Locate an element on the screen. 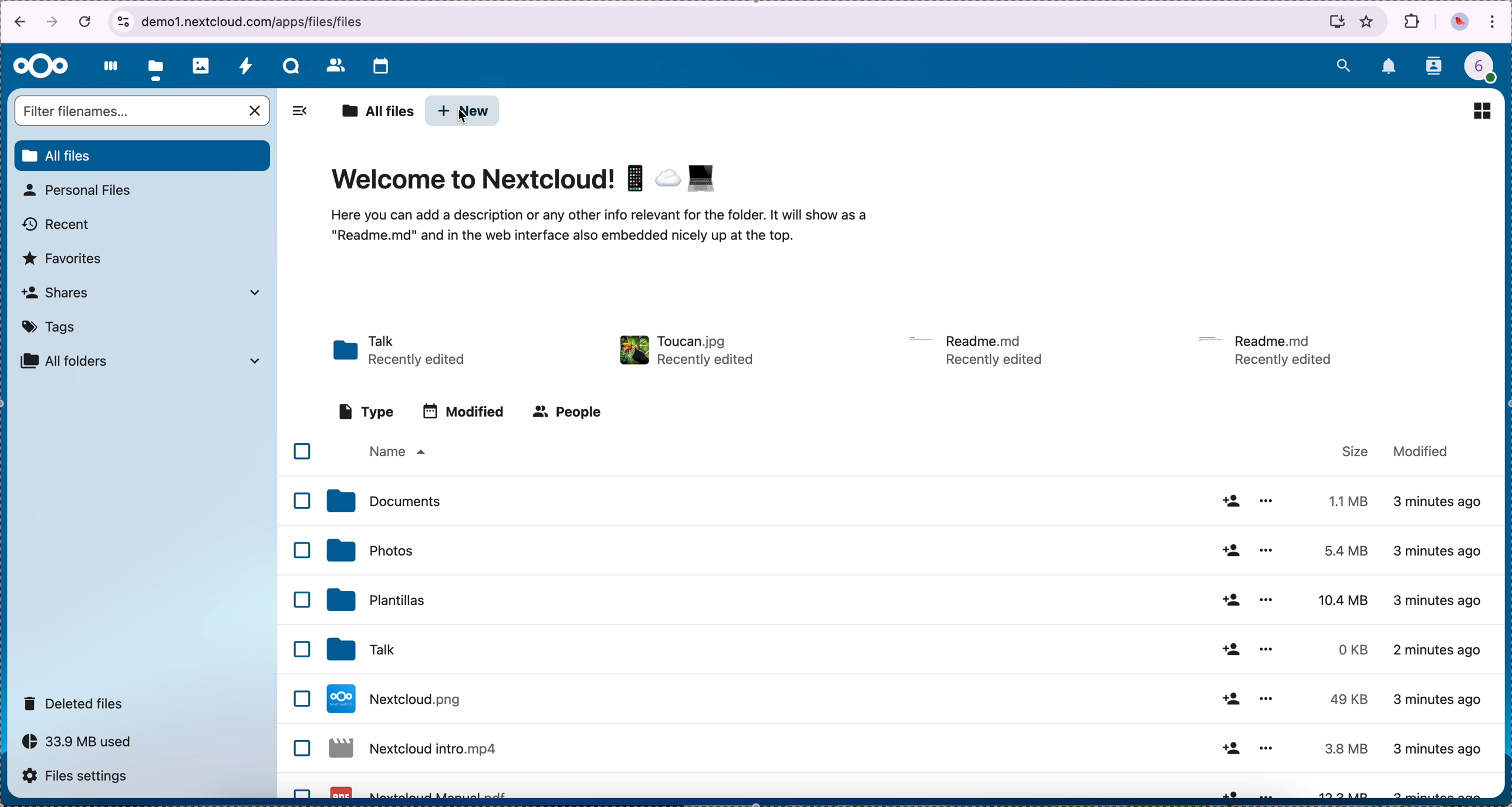 The image size is (1512, 807). talk is located at coordinates (291, 66).